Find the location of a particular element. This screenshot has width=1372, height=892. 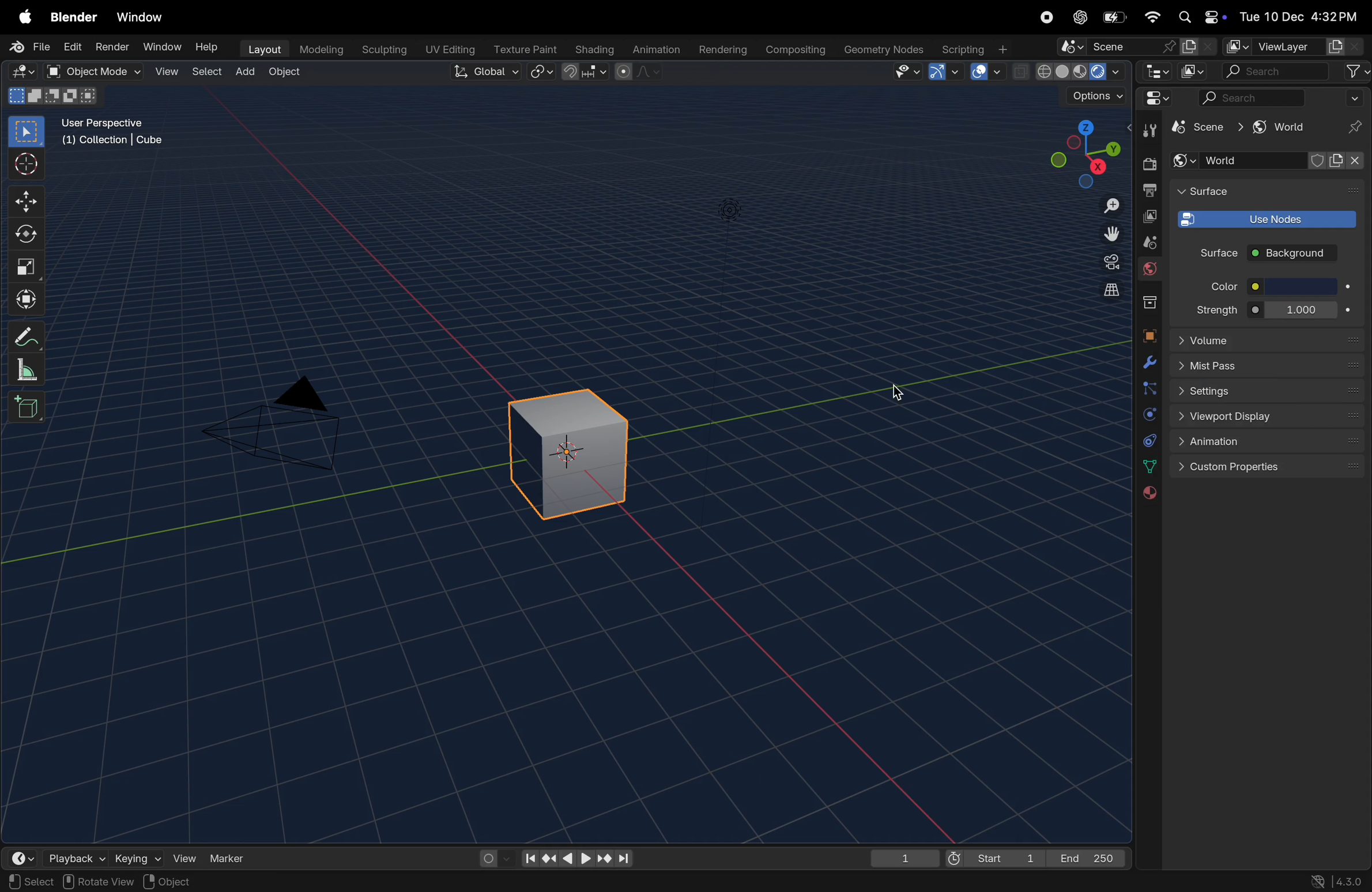

trasnform pviot is located at coordinates (543, 71).